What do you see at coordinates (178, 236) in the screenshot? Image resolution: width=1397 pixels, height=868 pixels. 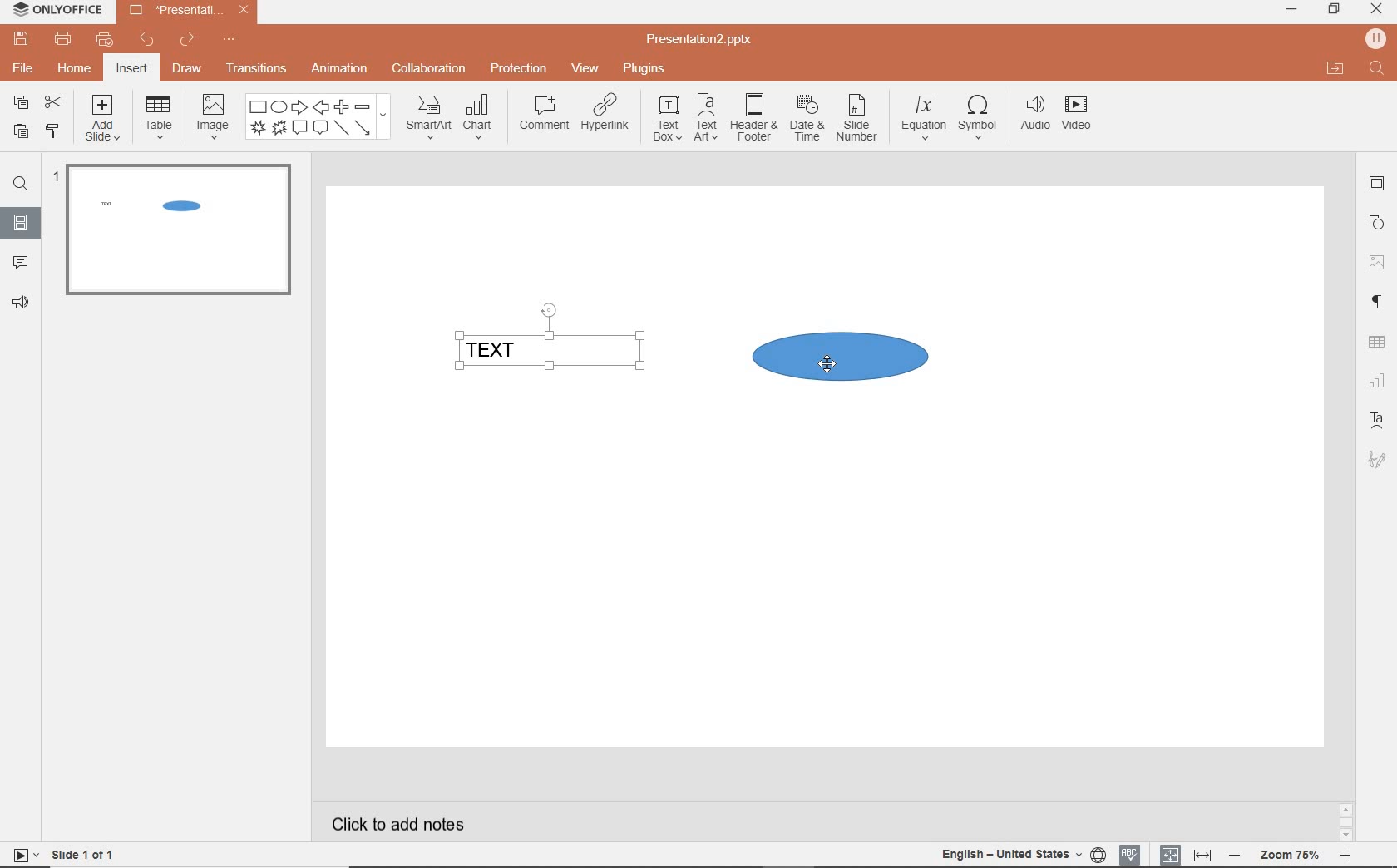 I see `SLIDE1` at bounding box center [178, 236].